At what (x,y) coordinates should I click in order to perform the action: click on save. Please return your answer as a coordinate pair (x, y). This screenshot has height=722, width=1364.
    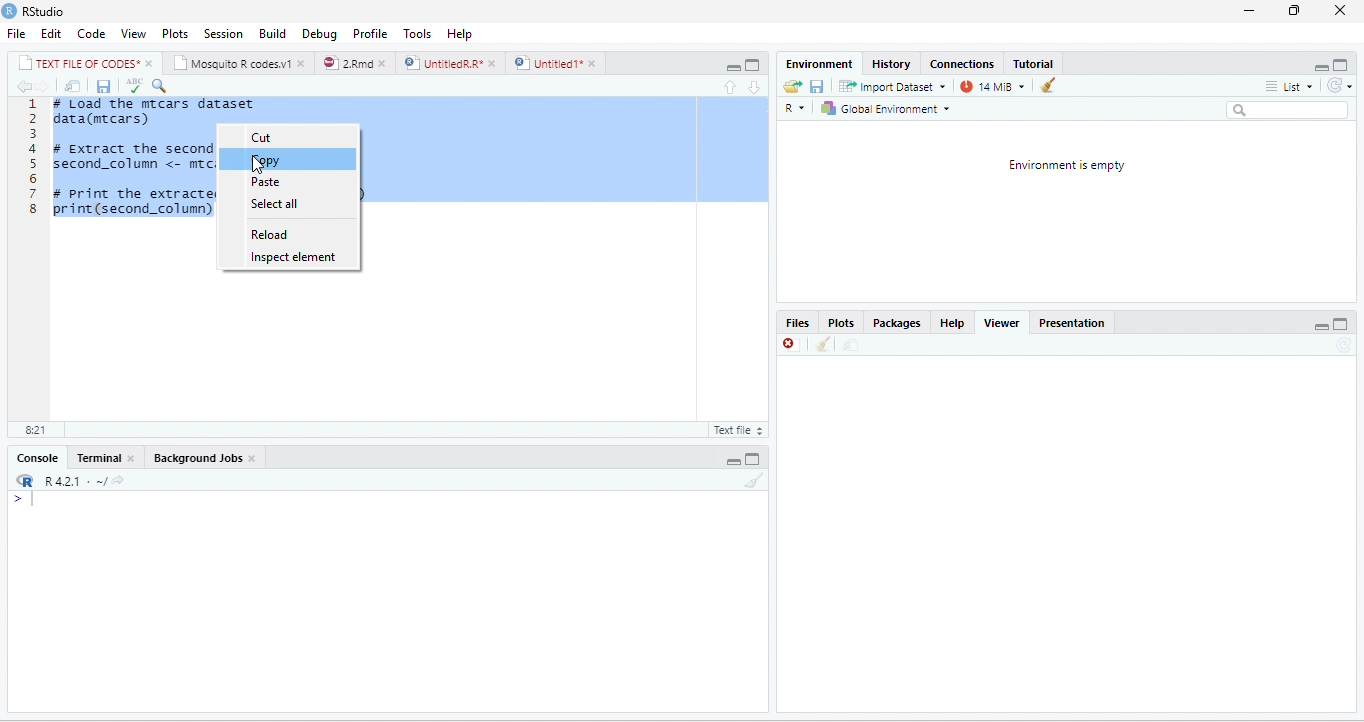
    Looking at the image, I should click on (103, 85).